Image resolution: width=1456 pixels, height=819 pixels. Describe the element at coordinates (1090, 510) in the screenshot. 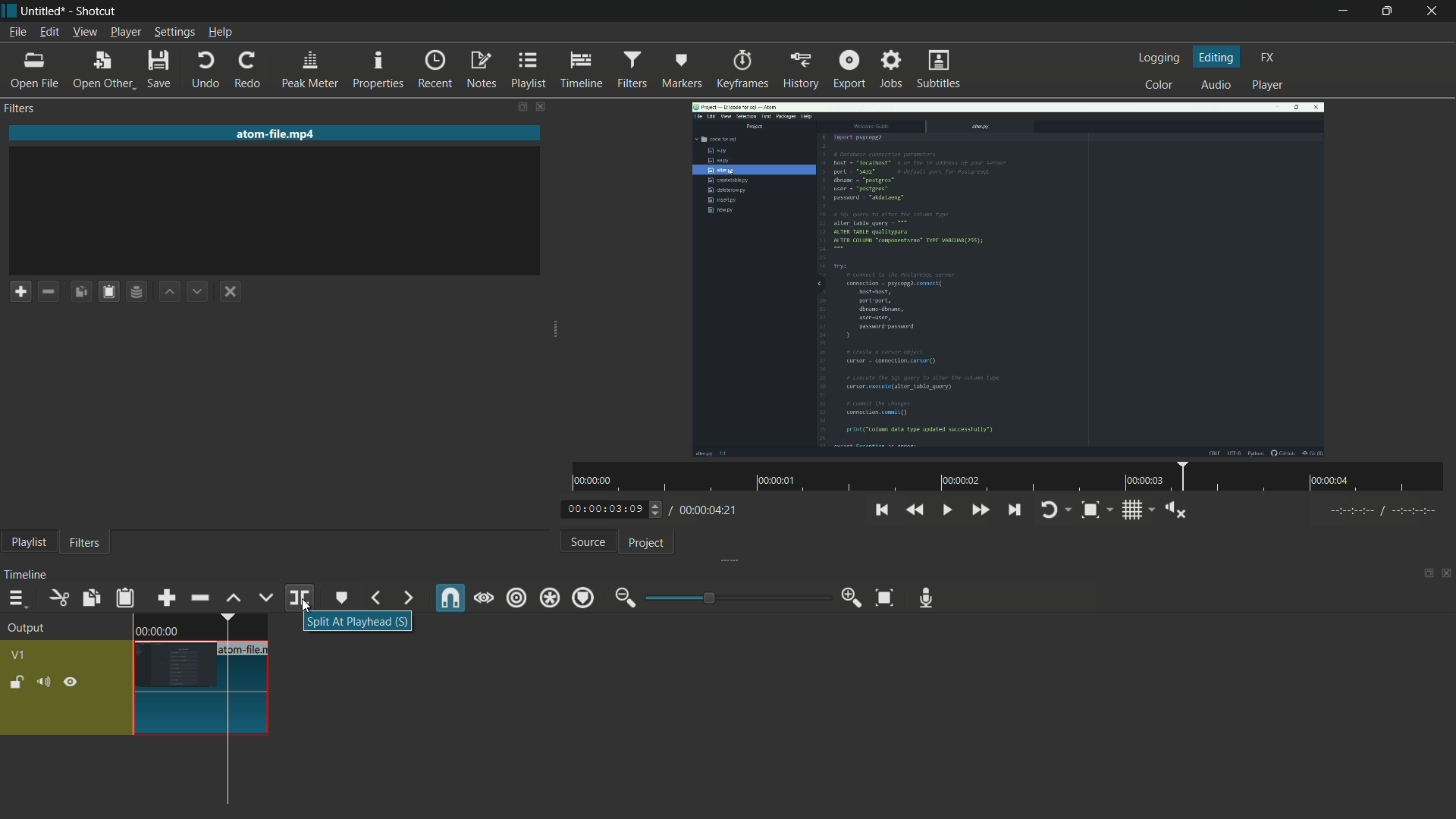

I see `toggle zoom` at that location.